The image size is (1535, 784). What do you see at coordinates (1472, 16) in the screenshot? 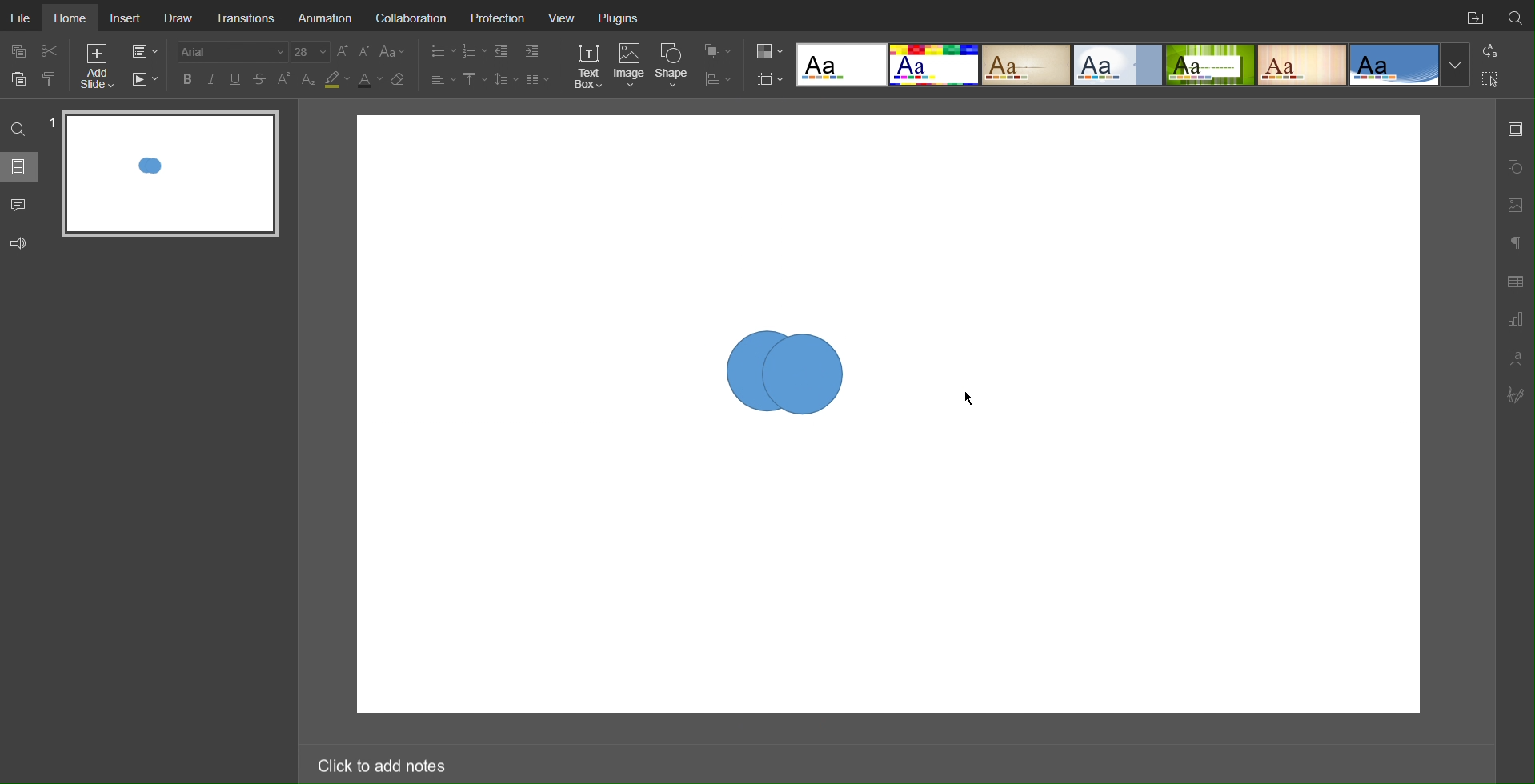
I see `Open File Location` at bounding box center [1472, 16].